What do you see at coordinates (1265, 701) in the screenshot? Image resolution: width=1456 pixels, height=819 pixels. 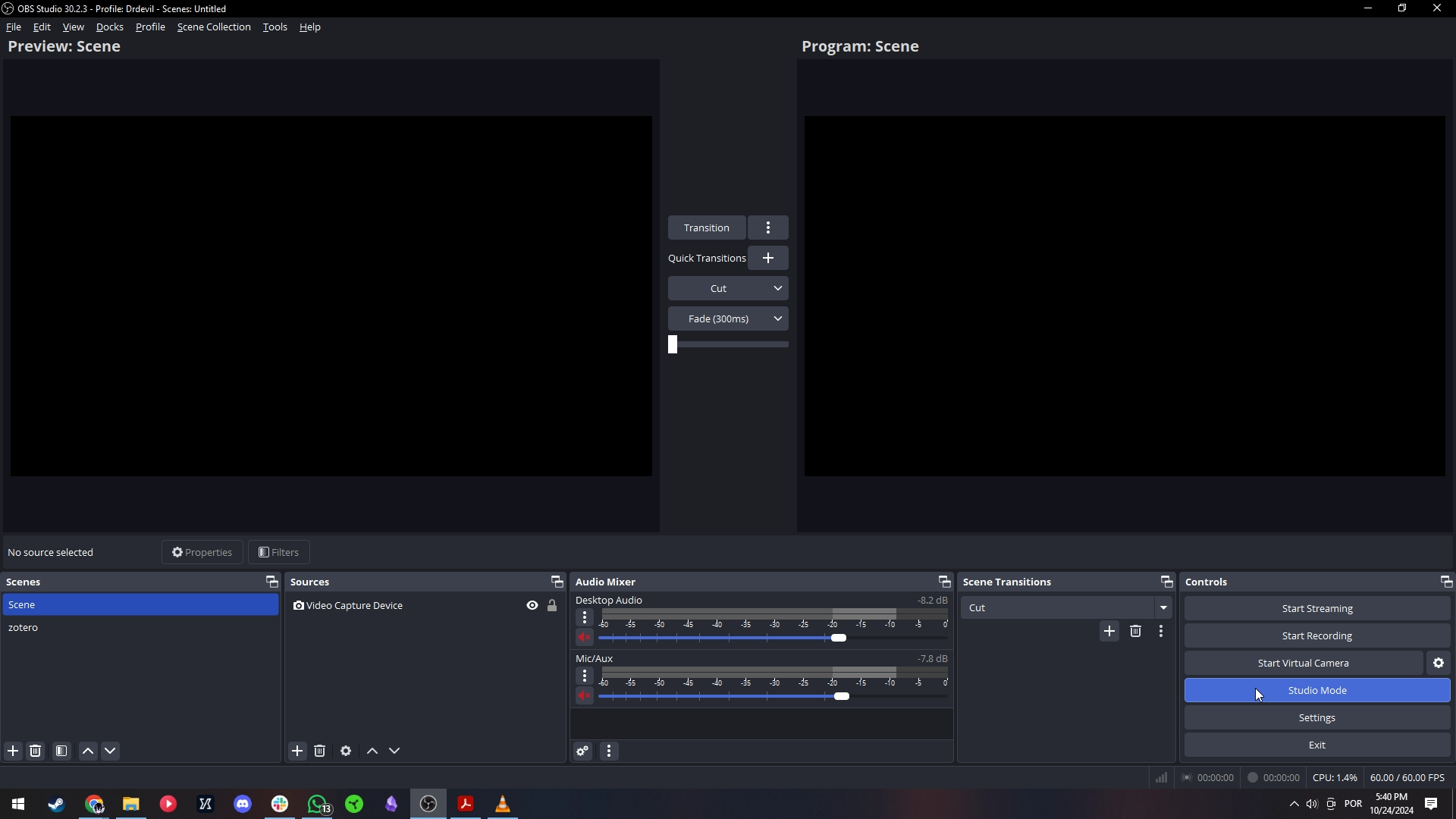 I see `Cursor` at bounding box center [1265, 701].